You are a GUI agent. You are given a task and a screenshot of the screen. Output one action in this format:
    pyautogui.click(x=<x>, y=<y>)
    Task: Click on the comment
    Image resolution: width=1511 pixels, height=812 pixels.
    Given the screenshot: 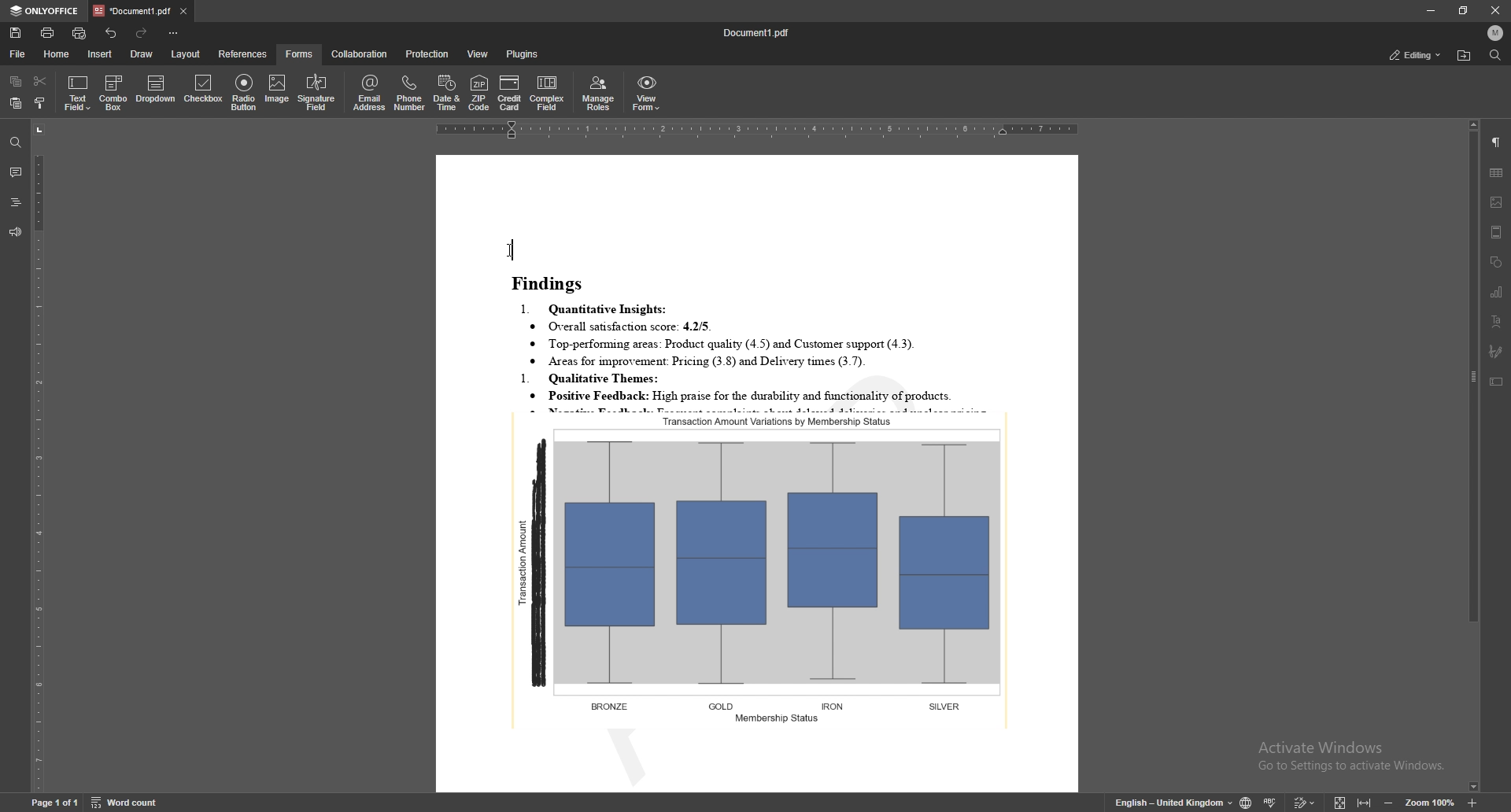 What is the action you would take?
    pyautogui.click(x=15, y=172)
    